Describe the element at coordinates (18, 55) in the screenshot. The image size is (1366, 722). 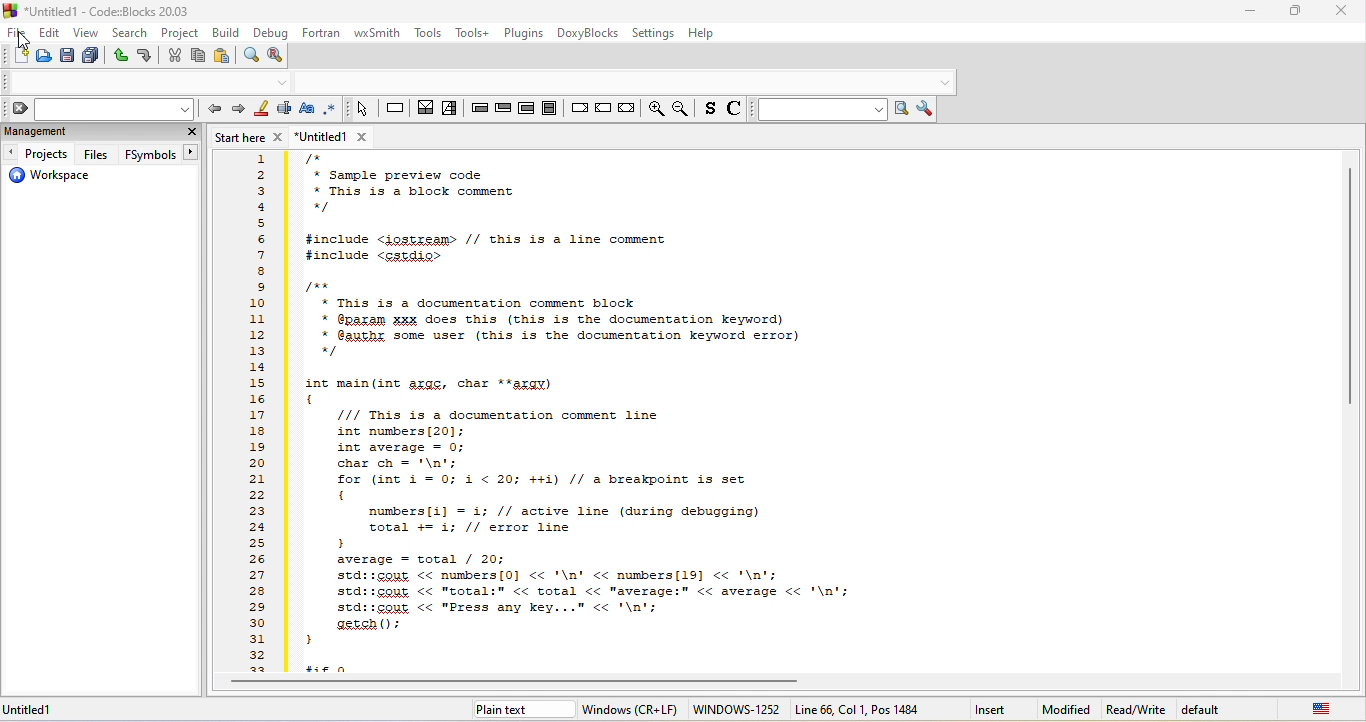
I see `new` at that location.